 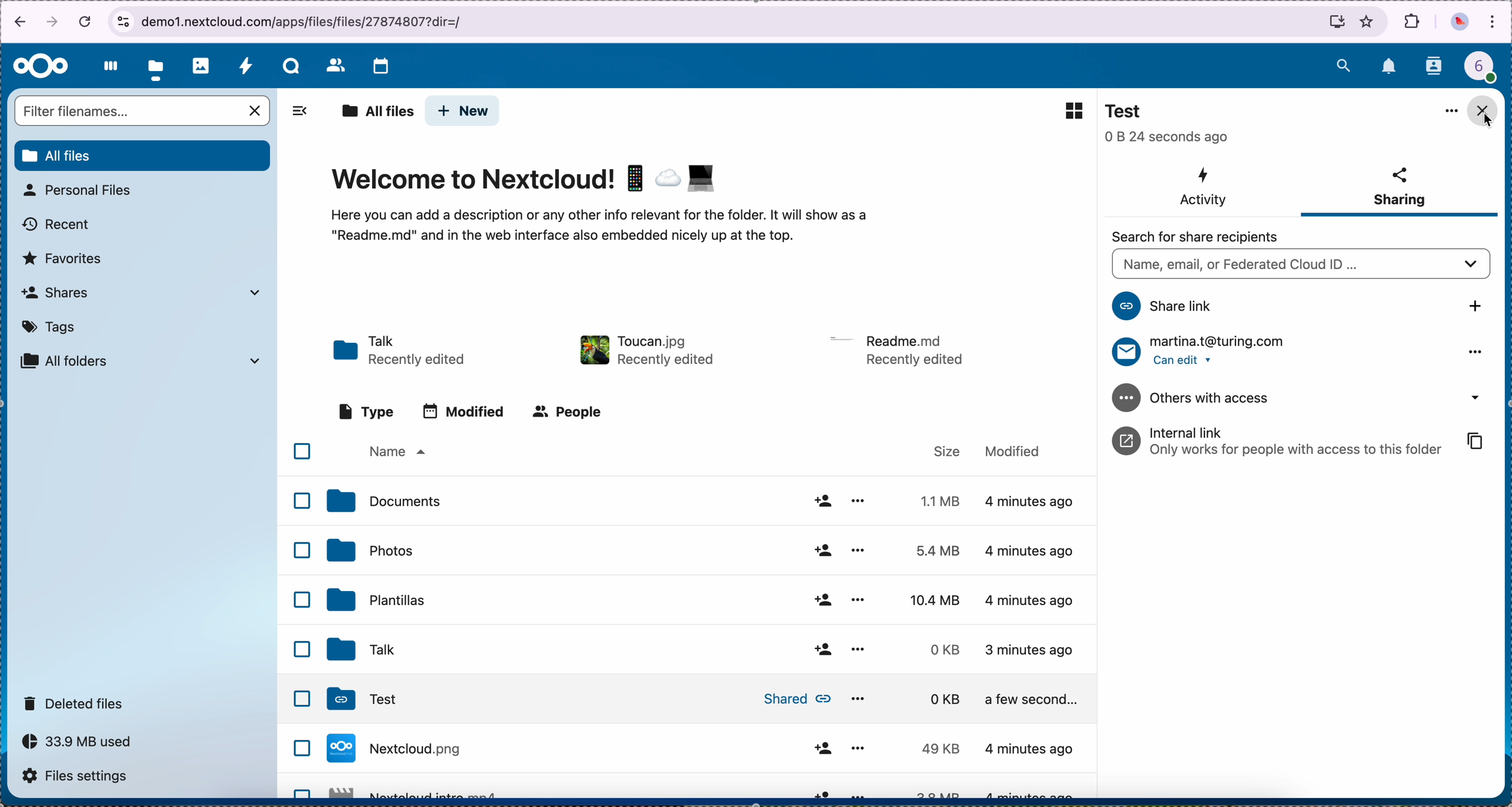 I want to click on recent, so click(x=58, y=225).